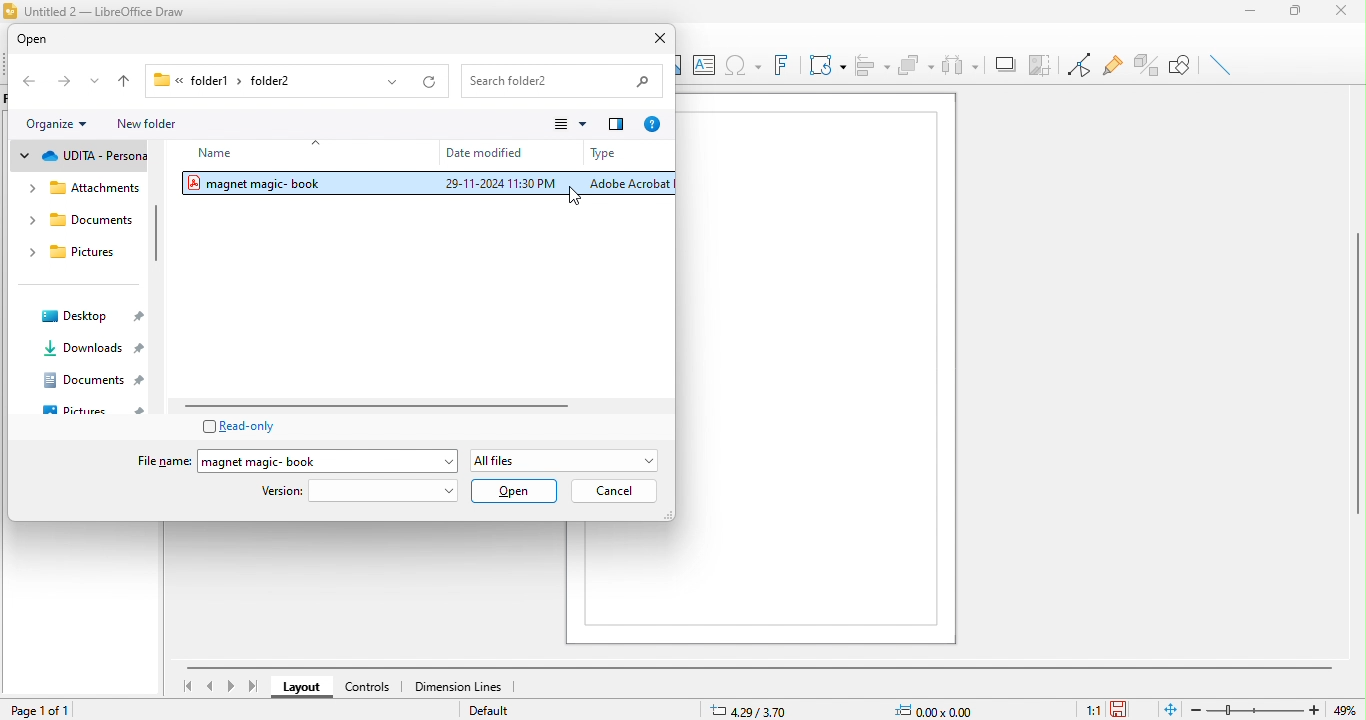 The image size is (1366, 720). What do you see at coordinates (562, 81) in the screenshot?
I see `search` at bounding box center [562, 81].